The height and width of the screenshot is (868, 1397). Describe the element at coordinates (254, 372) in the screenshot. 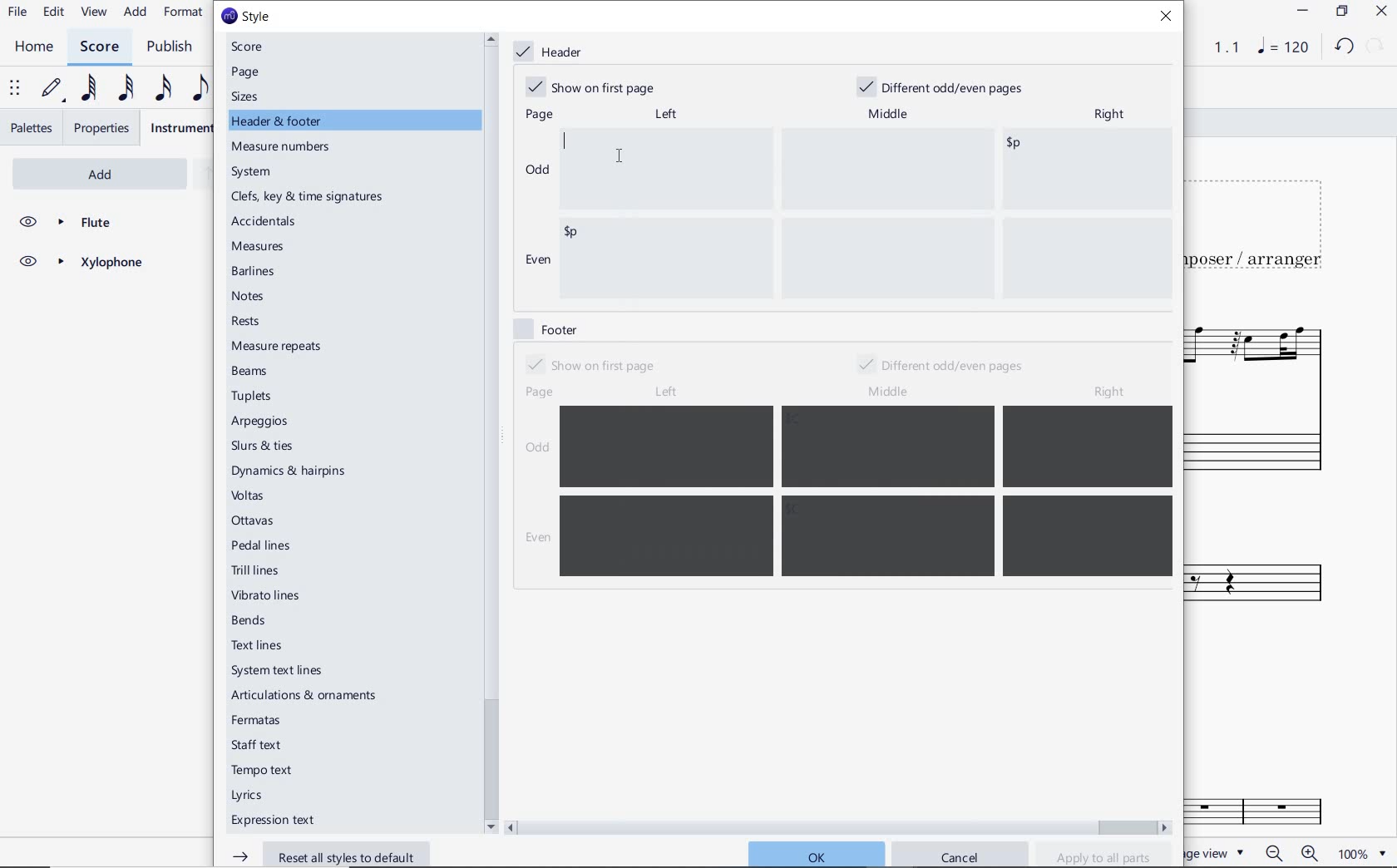

I see `beams` at that location.